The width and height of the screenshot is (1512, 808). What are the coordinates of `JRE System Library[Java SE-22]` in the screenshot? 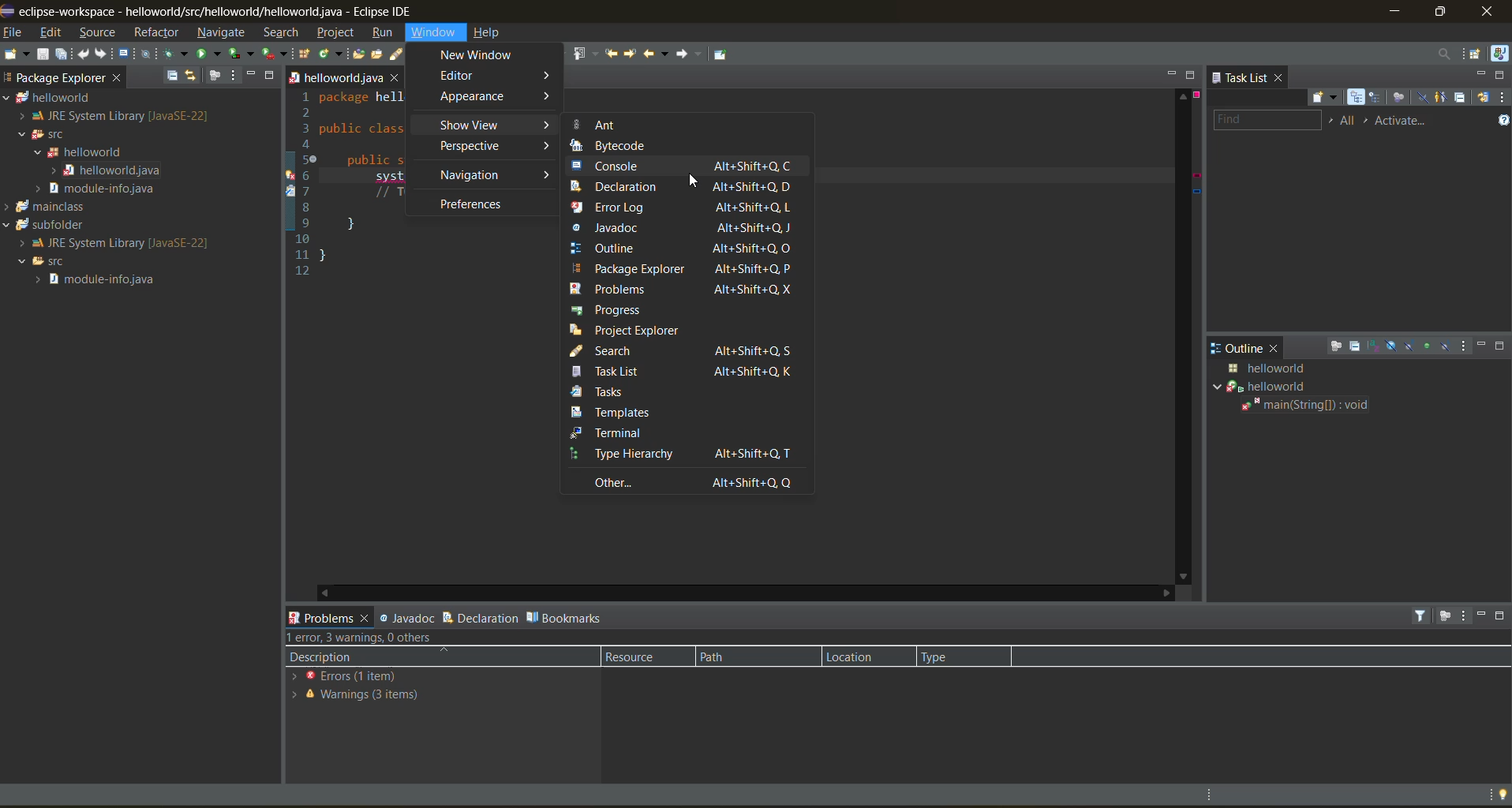 It's located at (109, 242).